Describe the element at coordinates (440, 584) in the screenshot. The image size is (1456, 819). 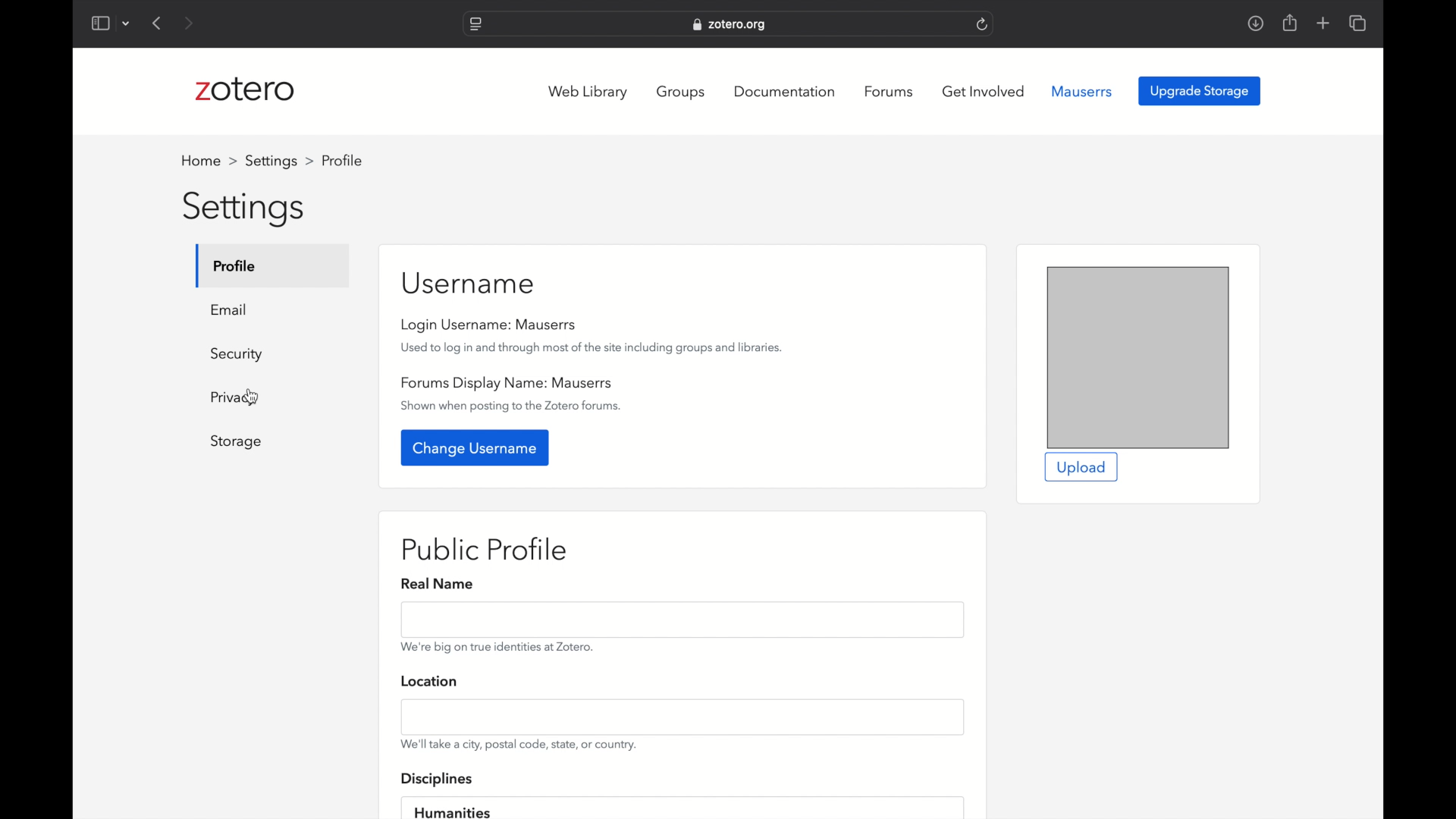
I see `real name` at that location.